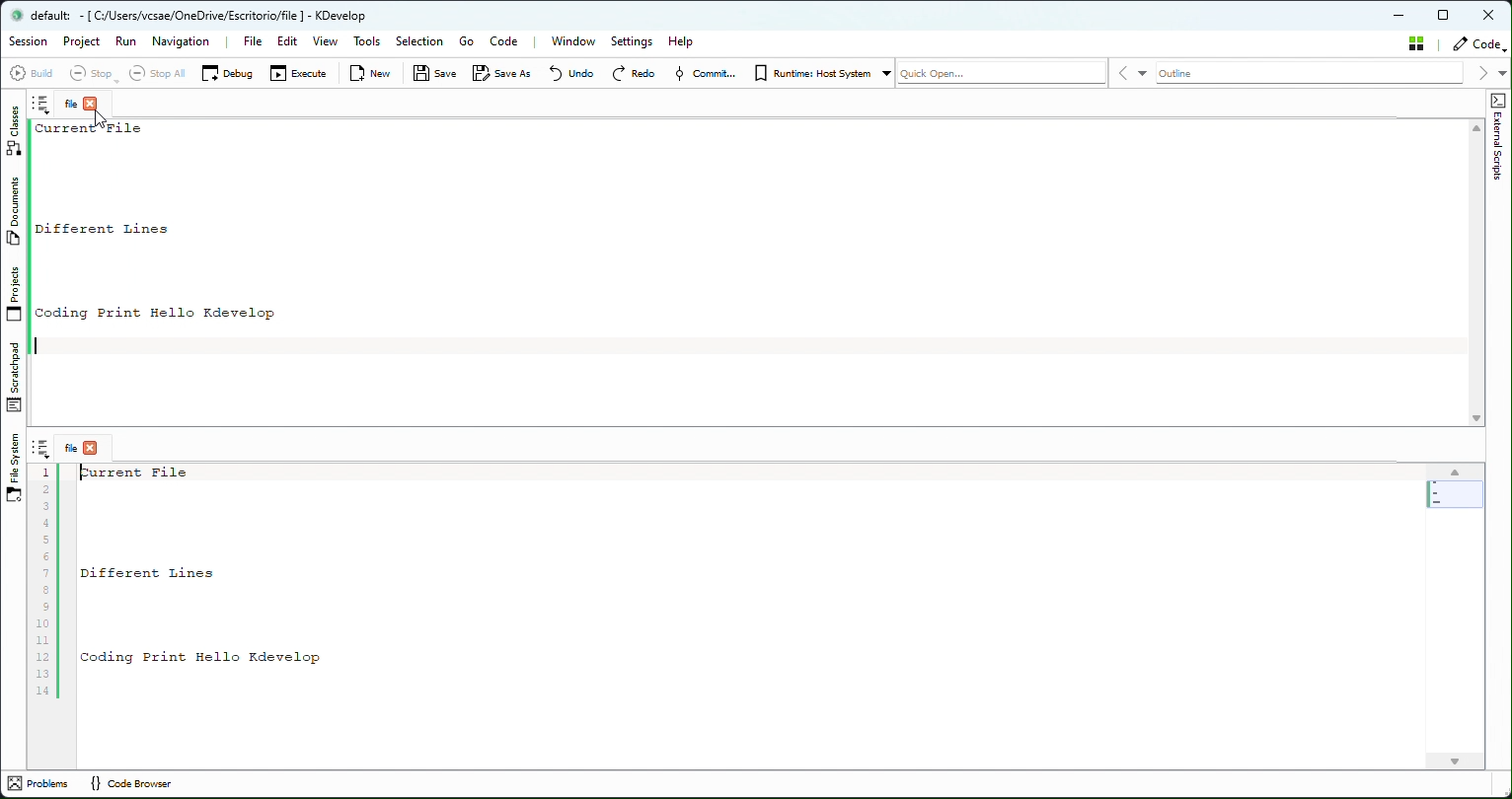  I want to click on Scroll up, so click(1457, 471).